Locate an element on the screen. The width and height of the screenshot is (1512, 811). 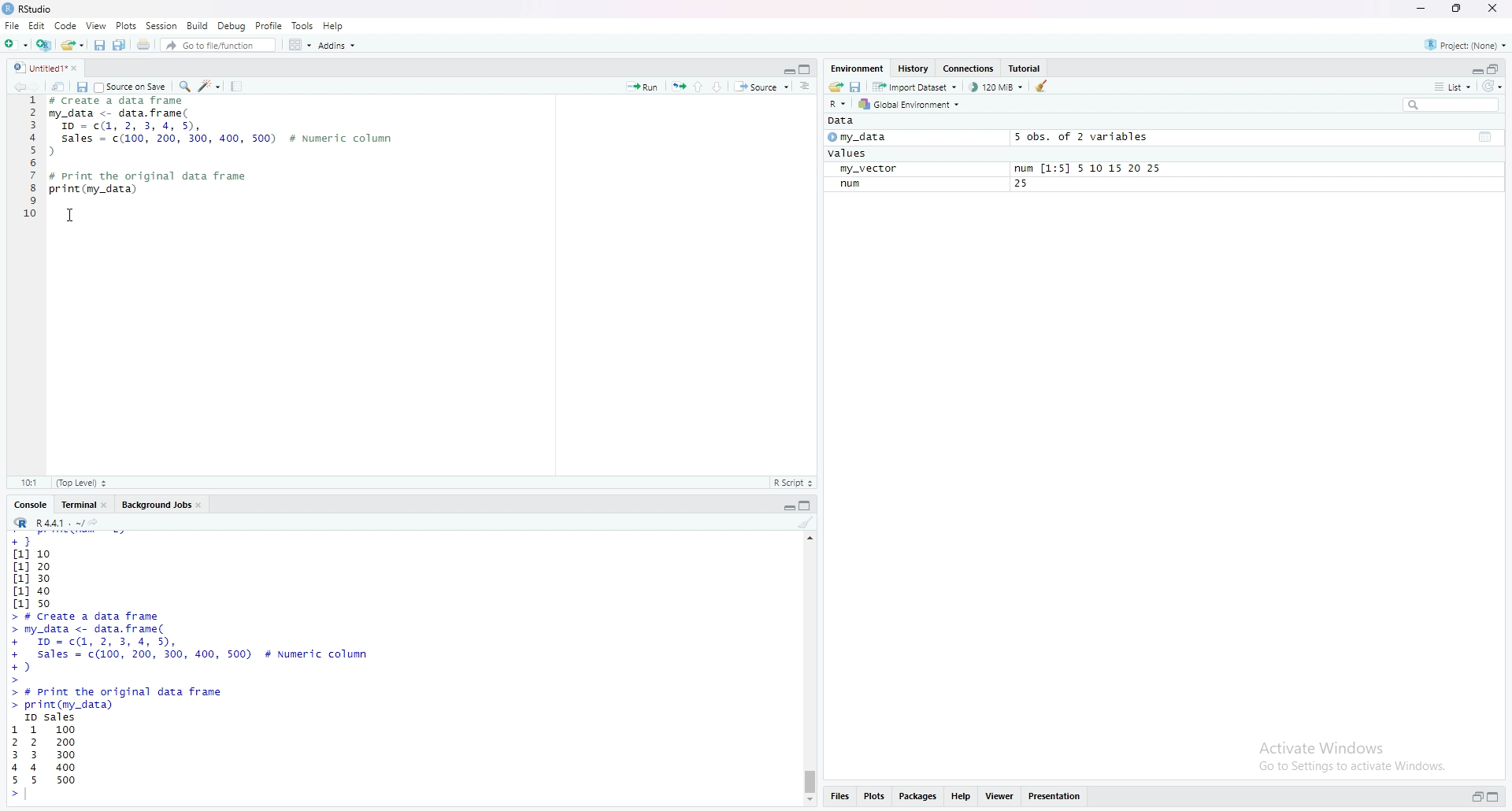
Debug is located at coordinates (233, 25).